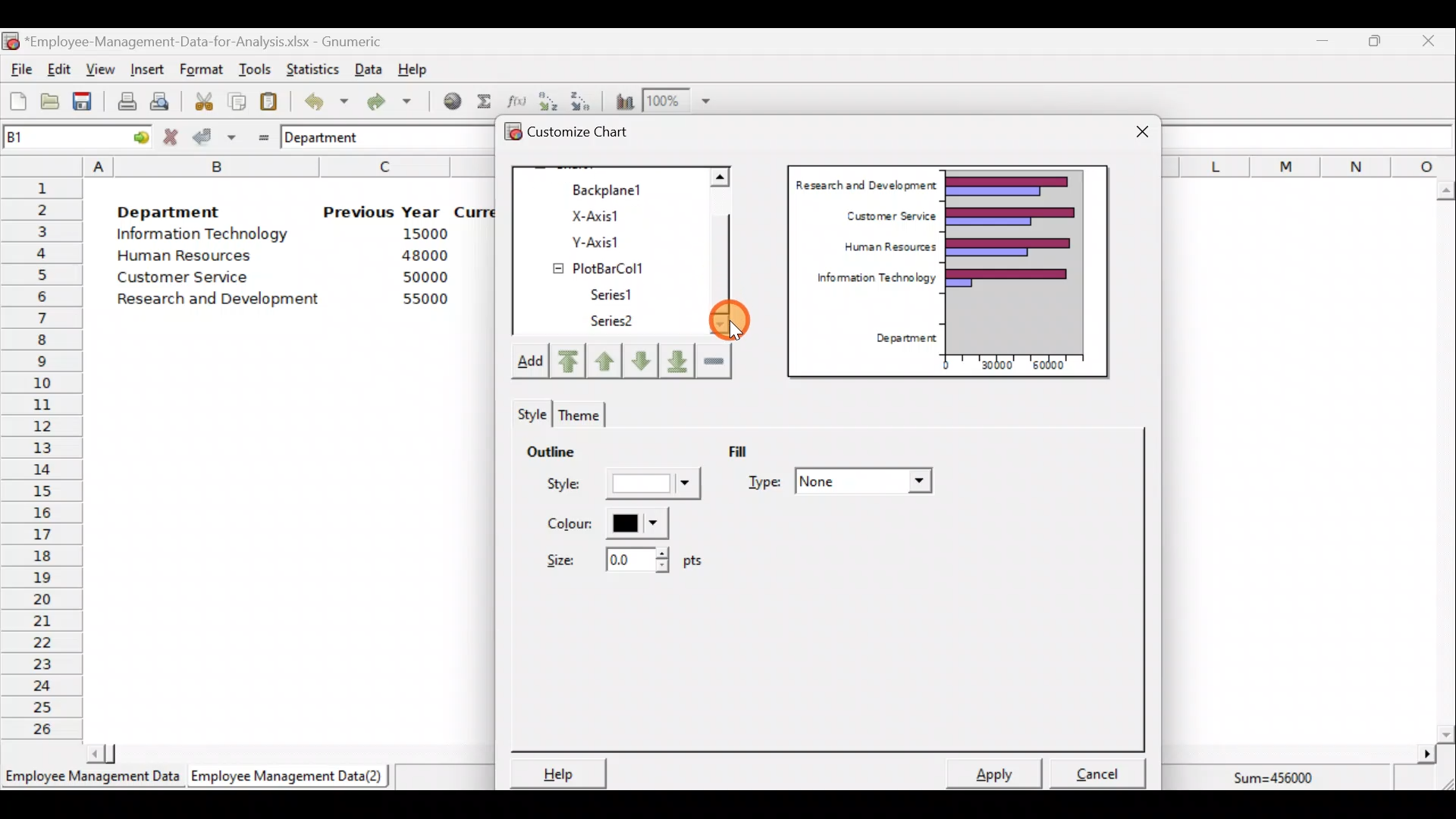 Image resolution: width=1456 pixels, height=819 pixels. I want to click on Tools, so click(254, 71).